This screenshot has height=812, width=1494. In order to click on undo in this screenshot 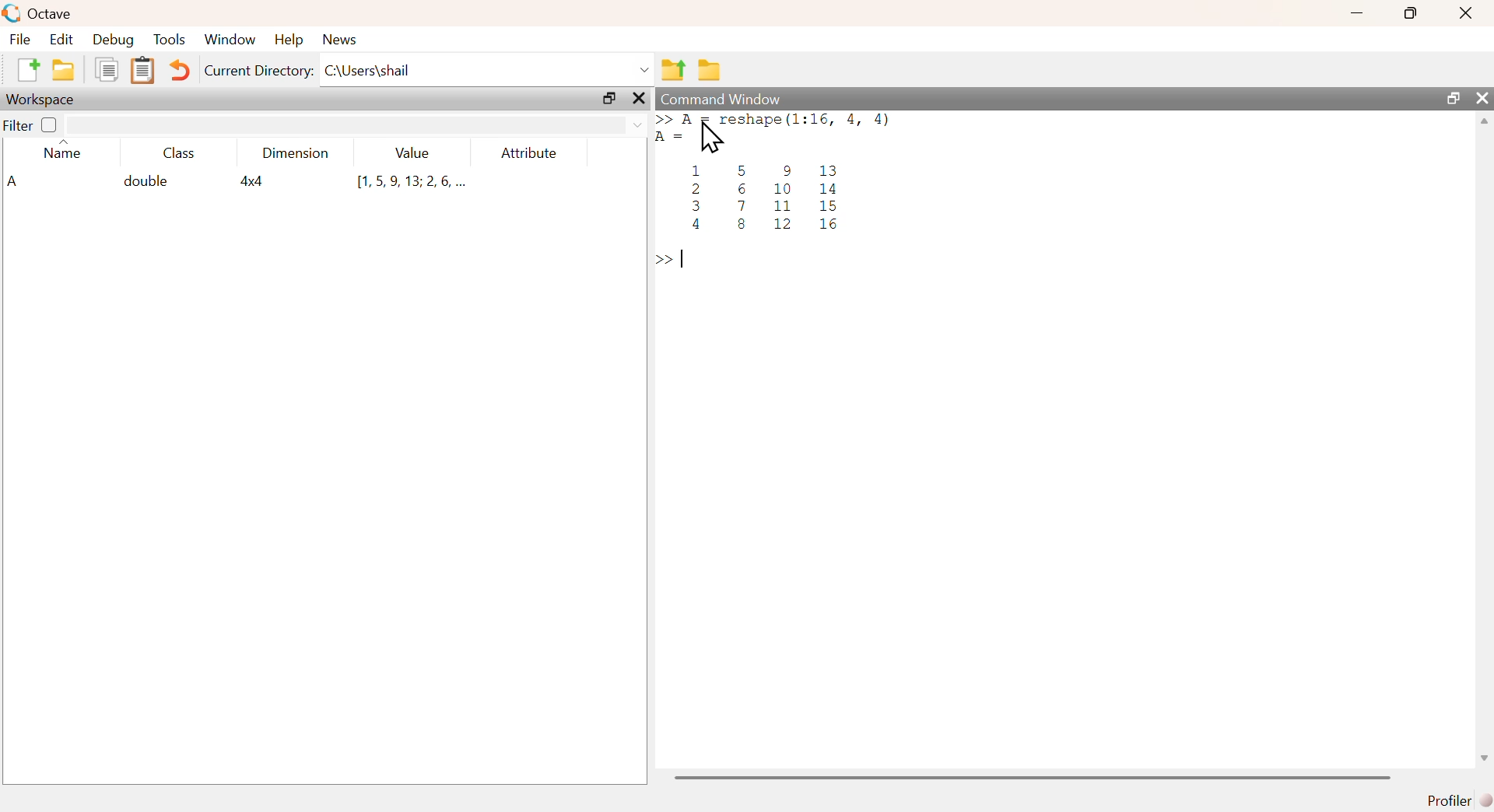, I will do `click(181, 73)`.